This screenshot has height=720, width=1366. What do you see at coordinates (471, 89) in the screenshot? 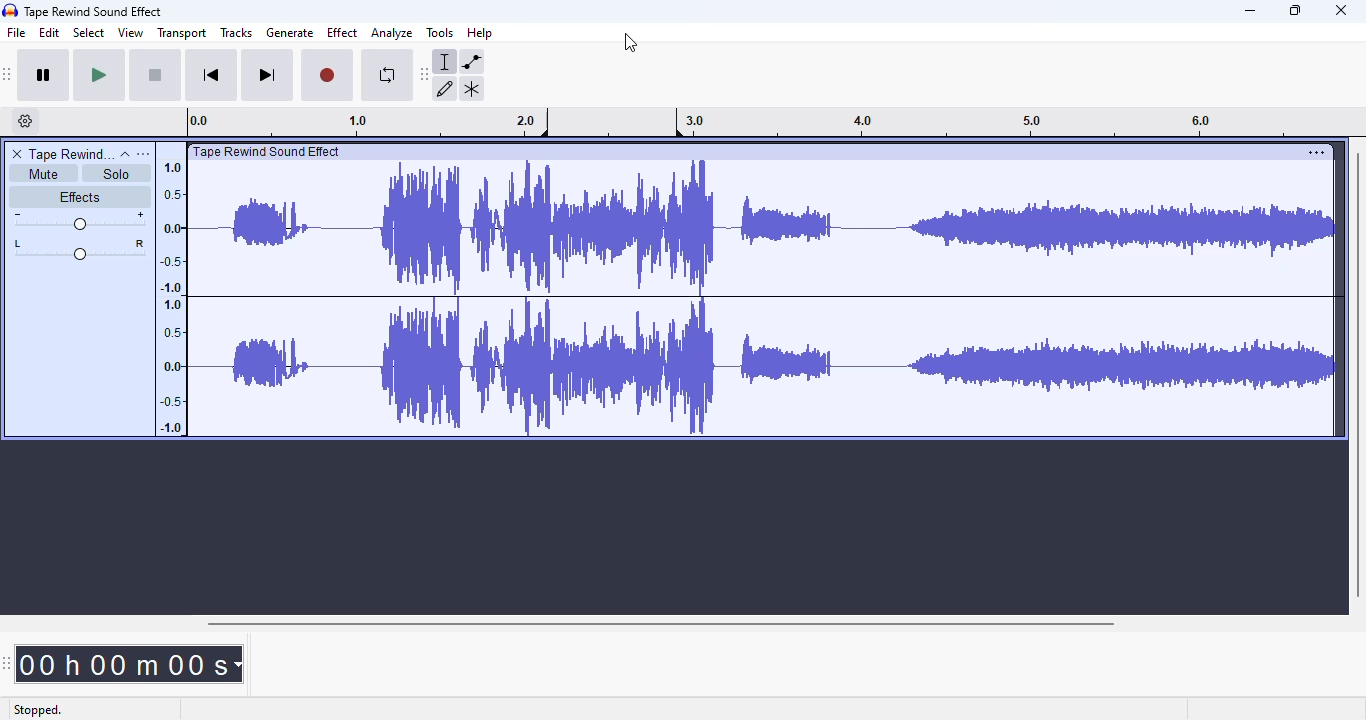
I see `multi-tool` at bounding box center [471, 89].